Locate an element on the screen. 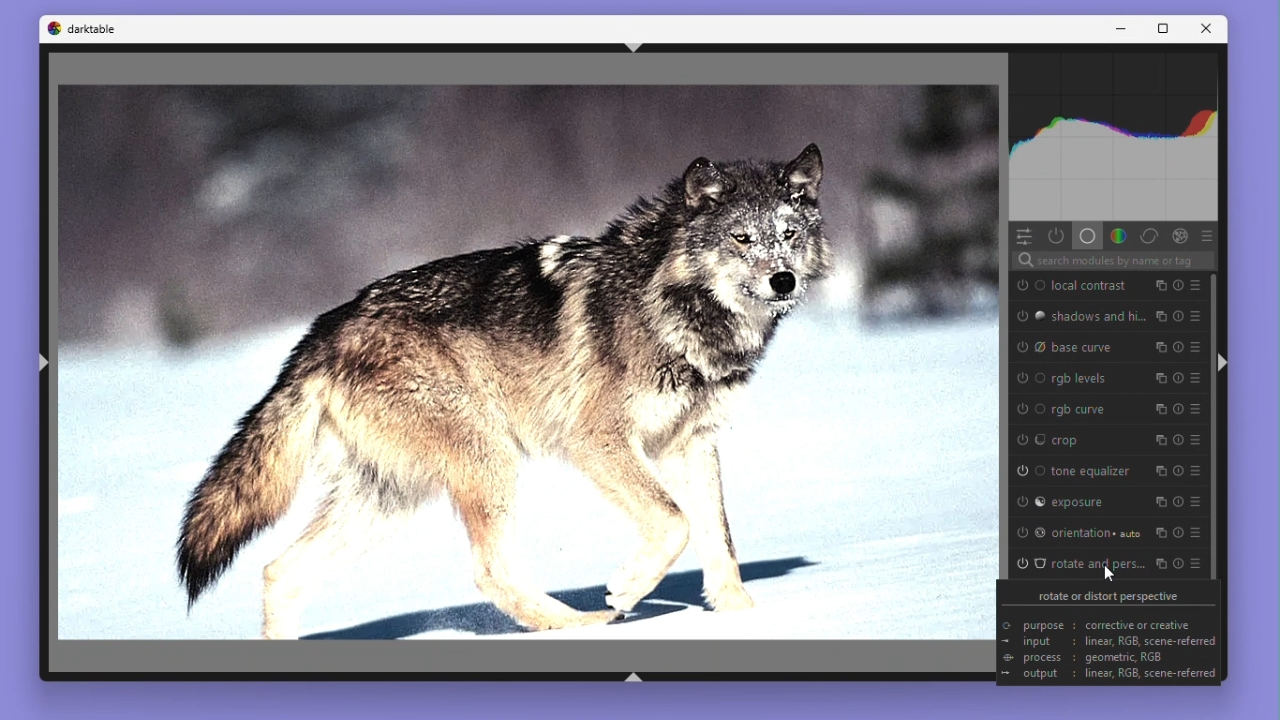  Orientation is located at coordinates (1110, 530).